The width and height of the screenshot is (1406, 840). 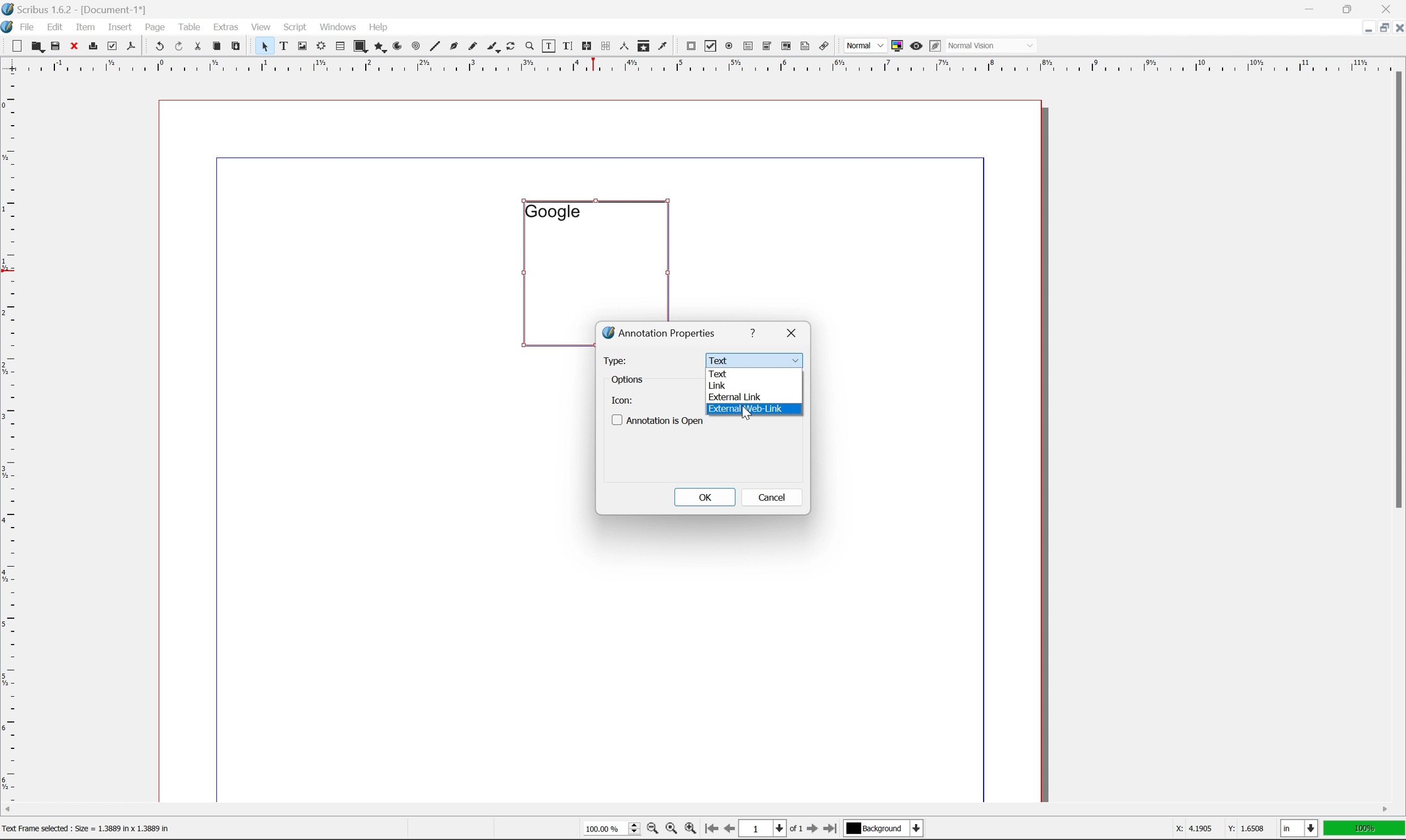 What do you see at coordinates (755, 361) in the screenshot?
I see `text` at bounding box center [755, 361].